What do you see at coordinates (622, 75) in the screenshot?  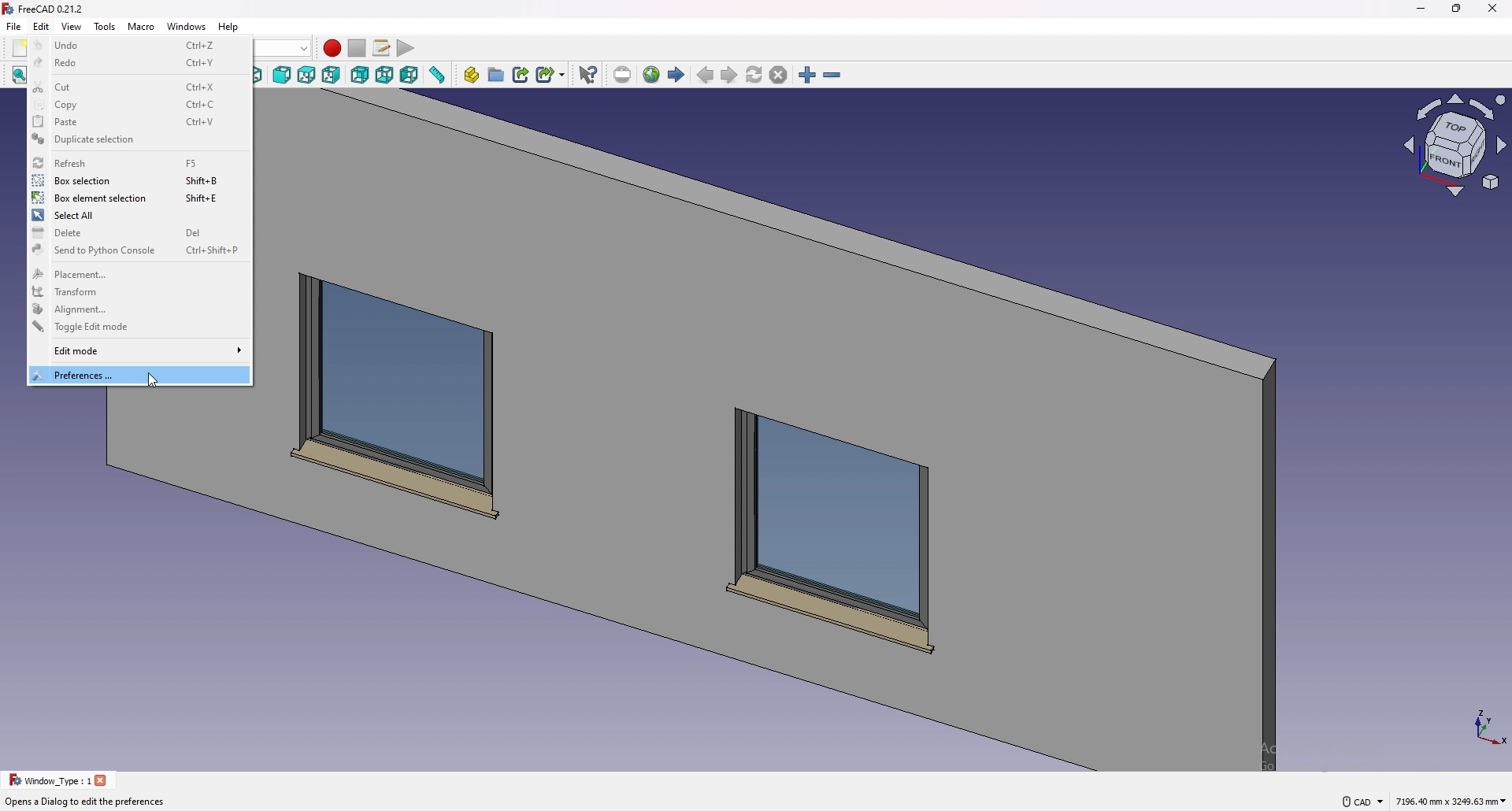 I see `set url` at bounding box center [622, 75].